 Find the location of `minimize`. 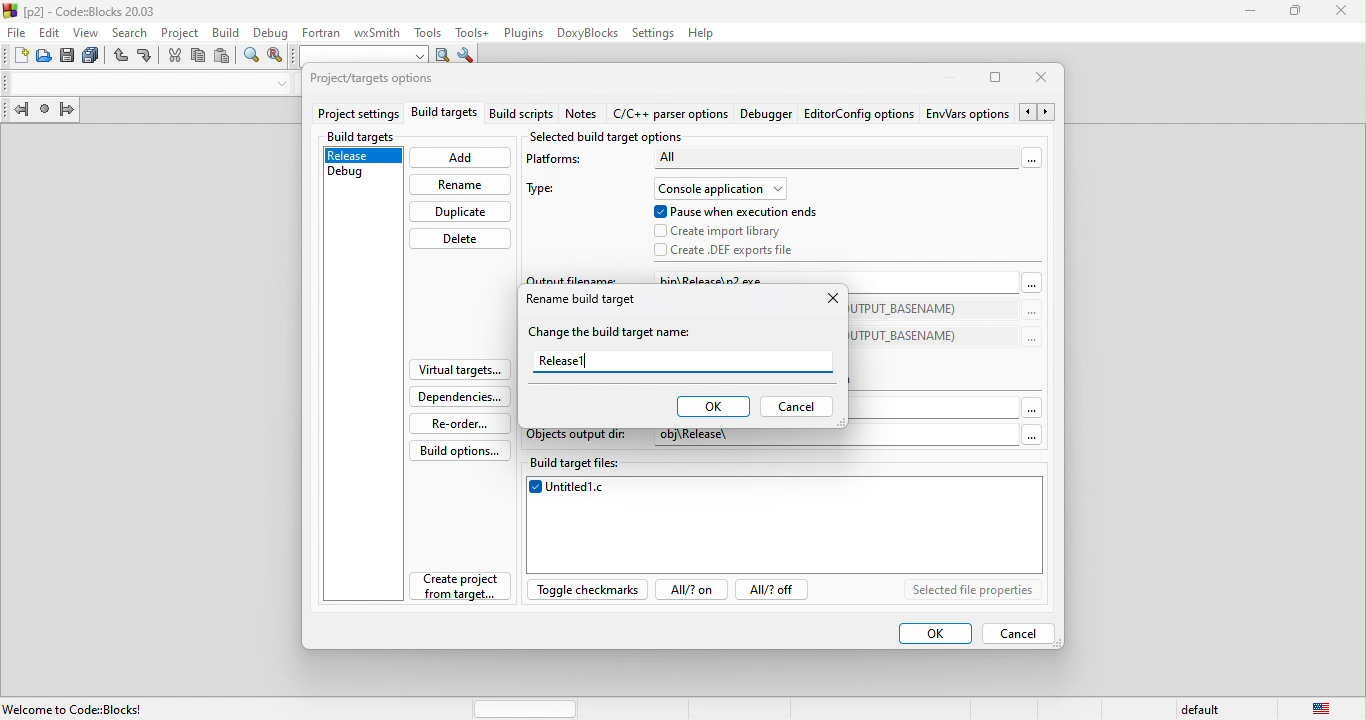

minimize is located at coordinates (944, 78).